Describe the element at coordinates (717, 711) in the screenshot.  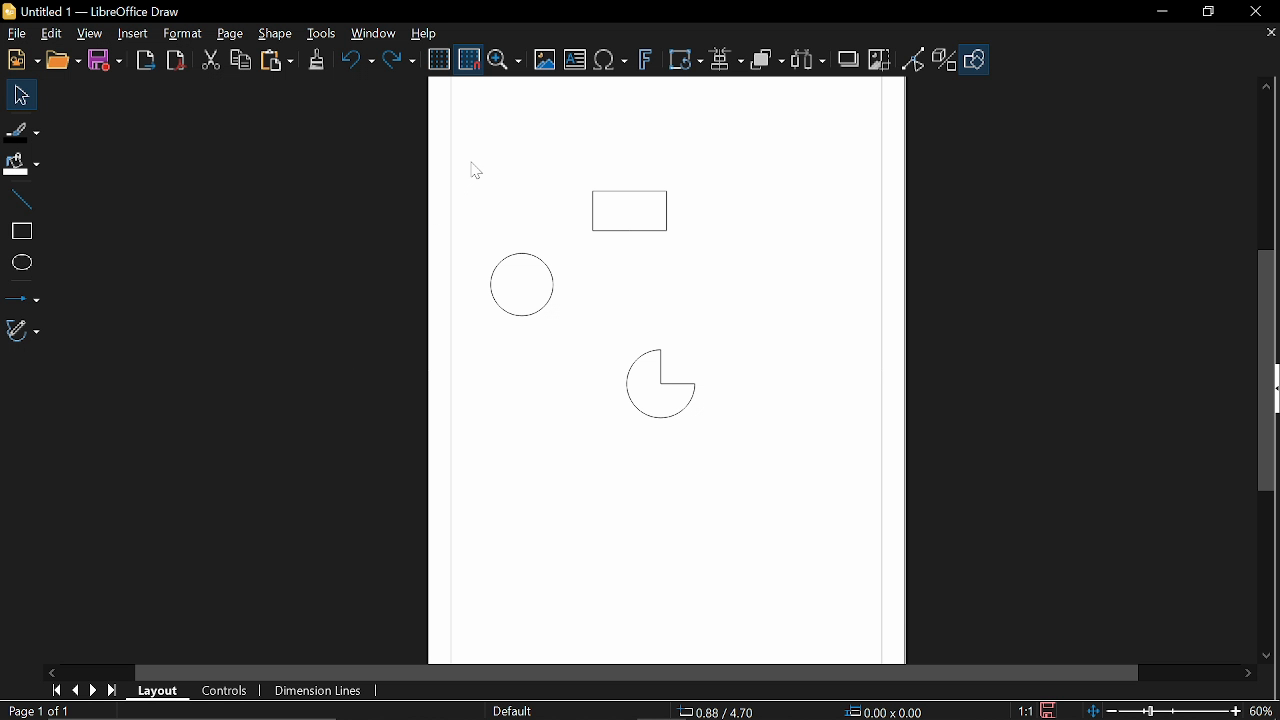
I see `0.88/ 4.70 (cursor position) ` at that location.